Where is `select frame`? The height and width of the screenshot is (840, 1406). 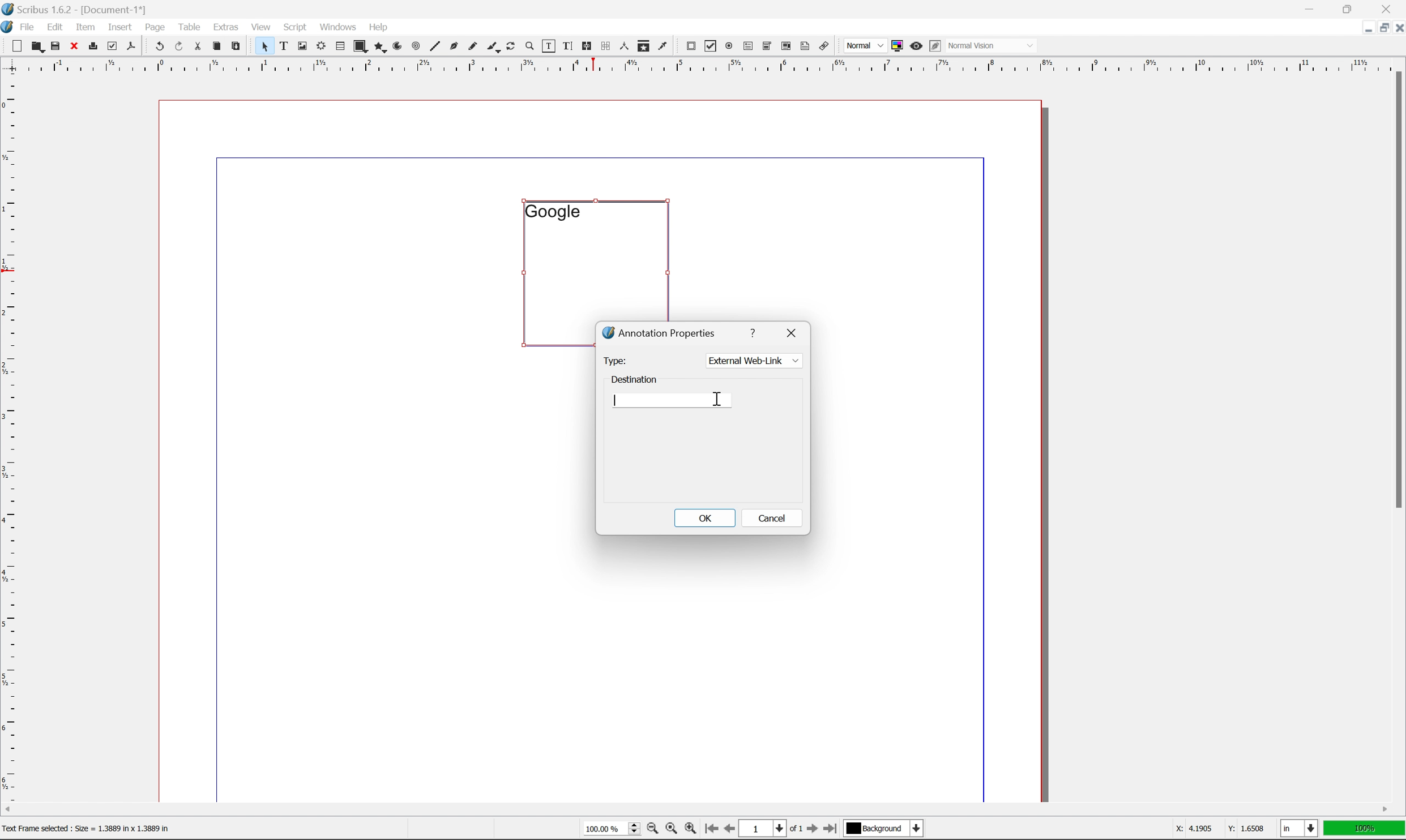
select frame is located at coordinates (264, 48).